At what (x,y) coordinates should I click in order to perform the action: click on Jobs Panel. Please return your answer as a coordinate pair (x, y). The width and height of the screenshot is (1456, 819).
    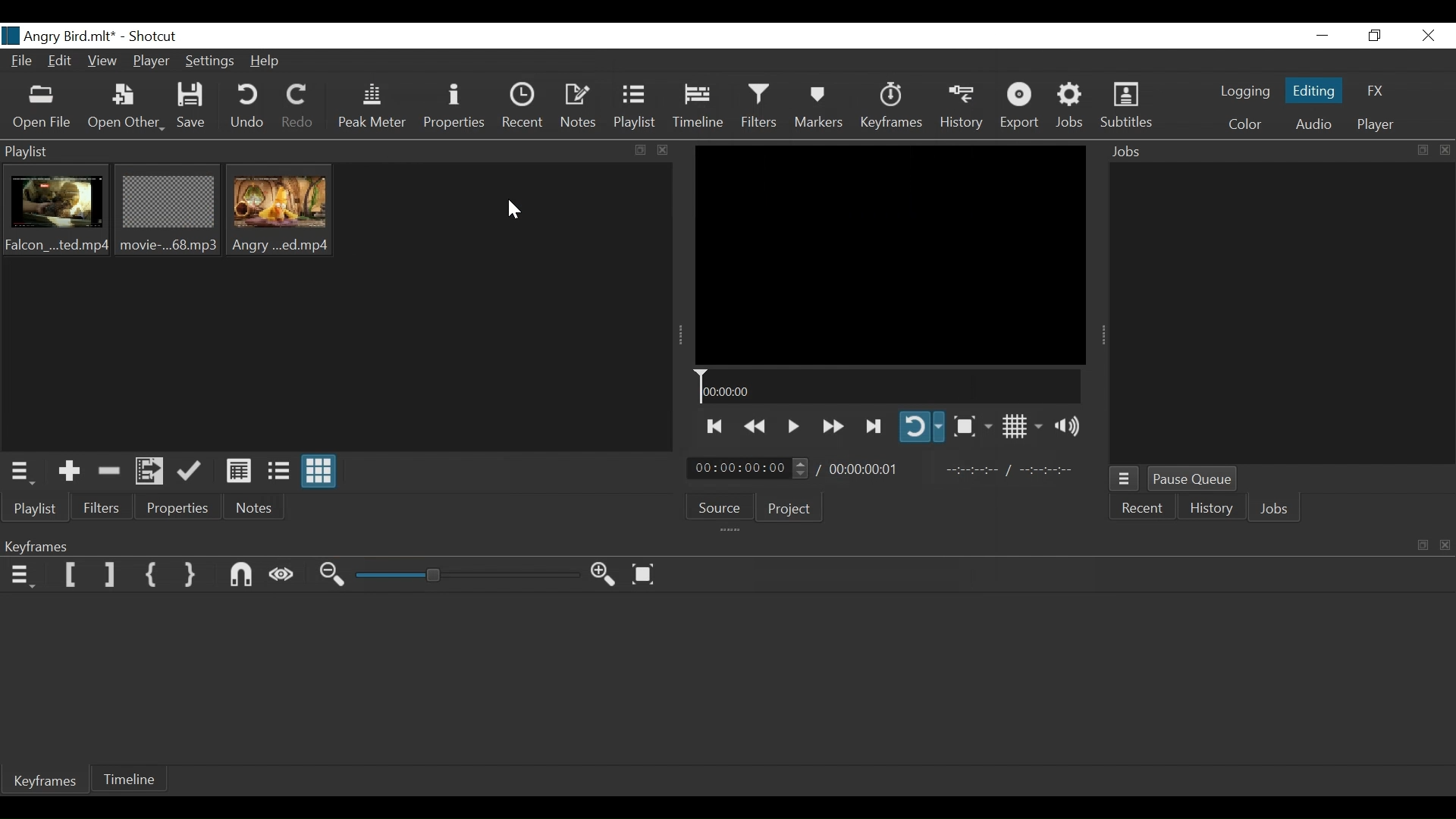
    Looking at the image, I should click on (1281, 315).